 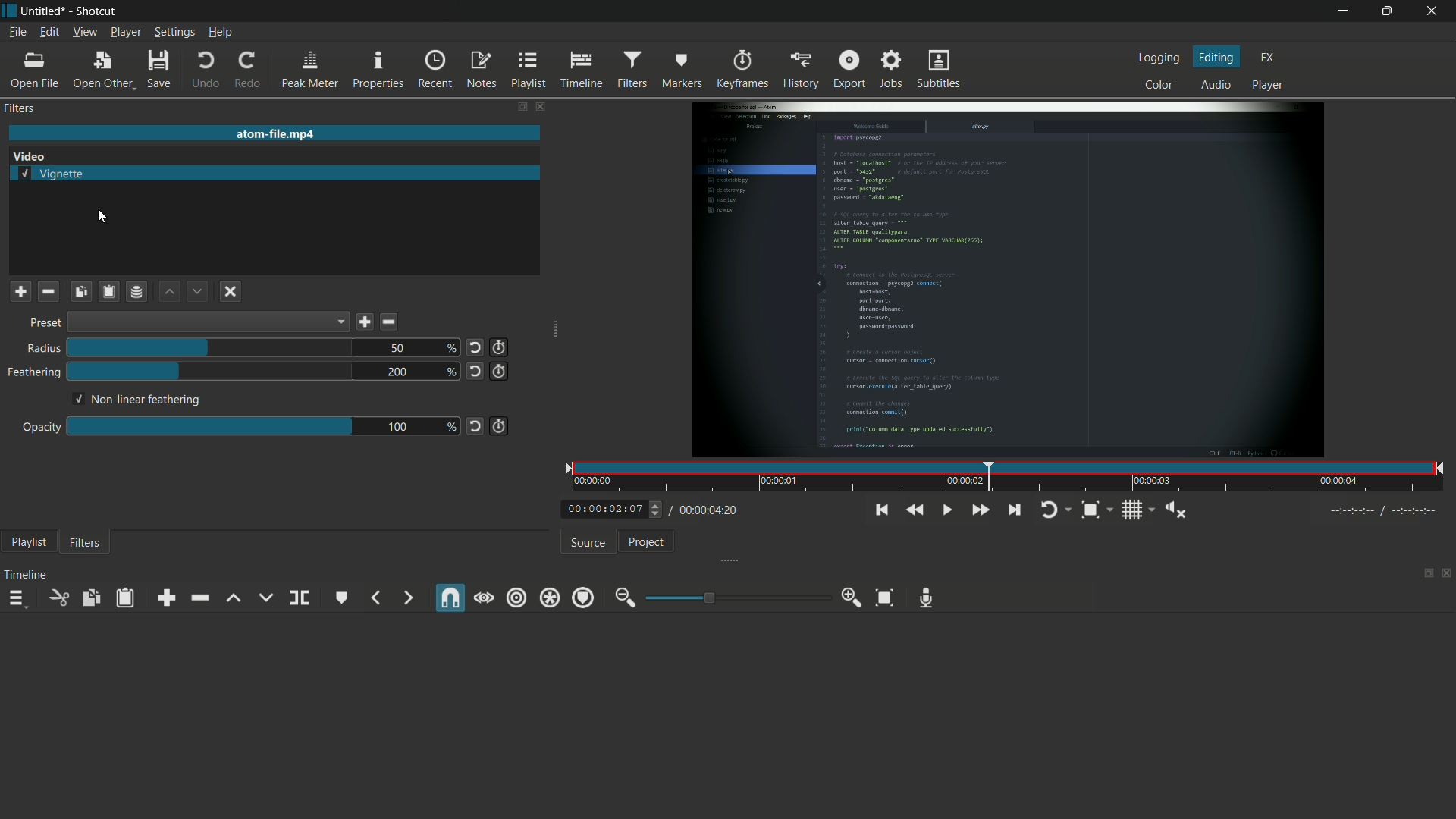 I want to click on save filter set, so click(x=136, y=293).